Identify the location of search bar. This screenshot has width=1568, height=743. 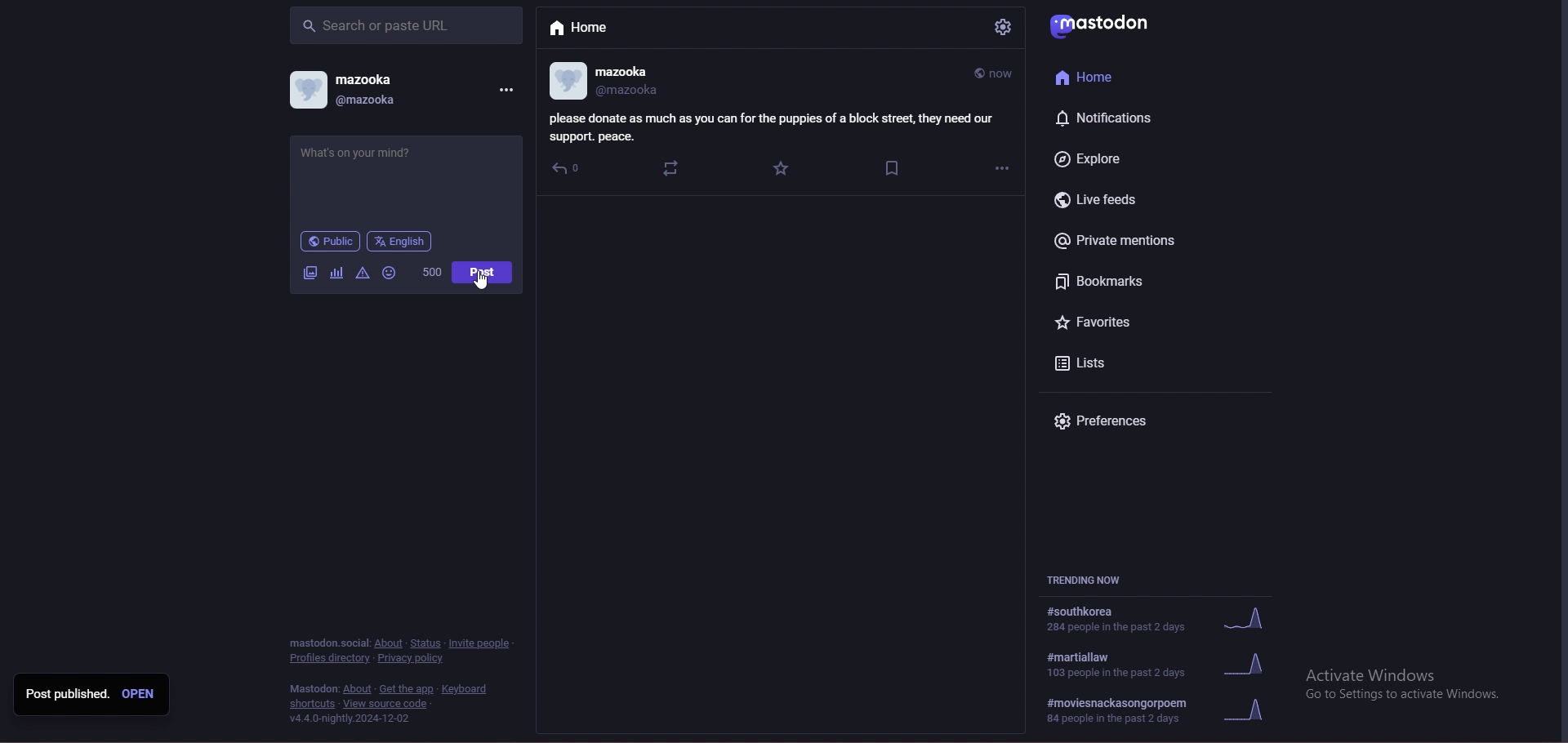
(408, 24).